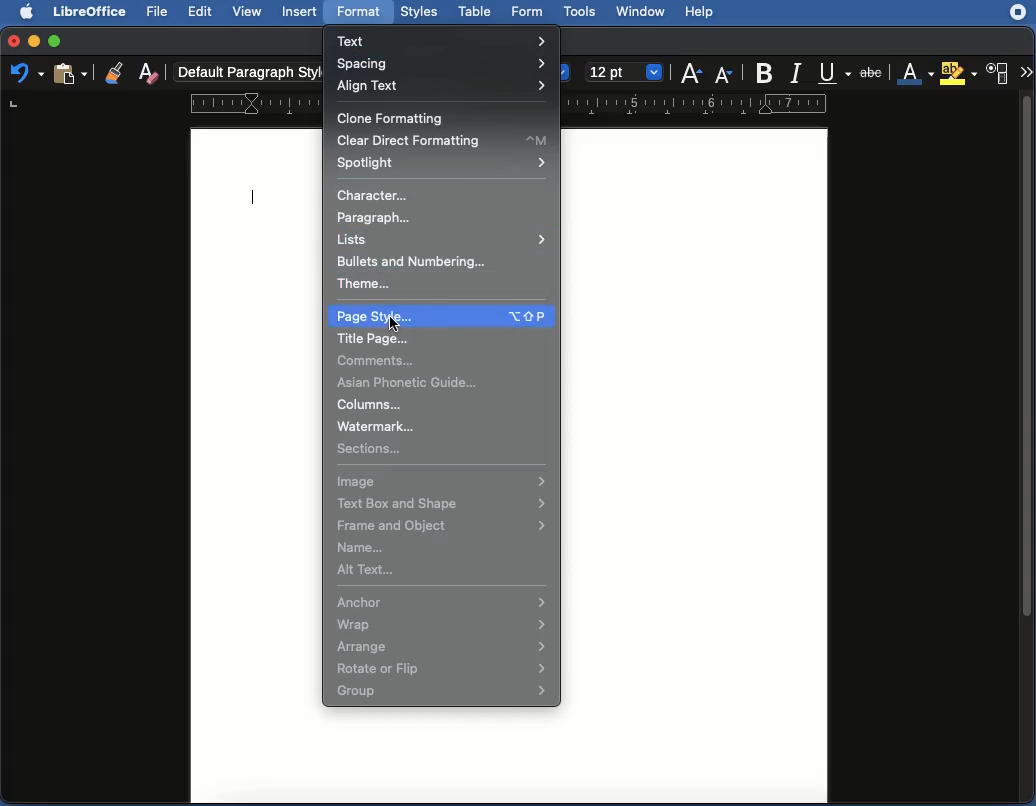  What do you see at coordinates (446, 63) in the screenshot?
I see `Spacing` at bounding box center [446, 63].